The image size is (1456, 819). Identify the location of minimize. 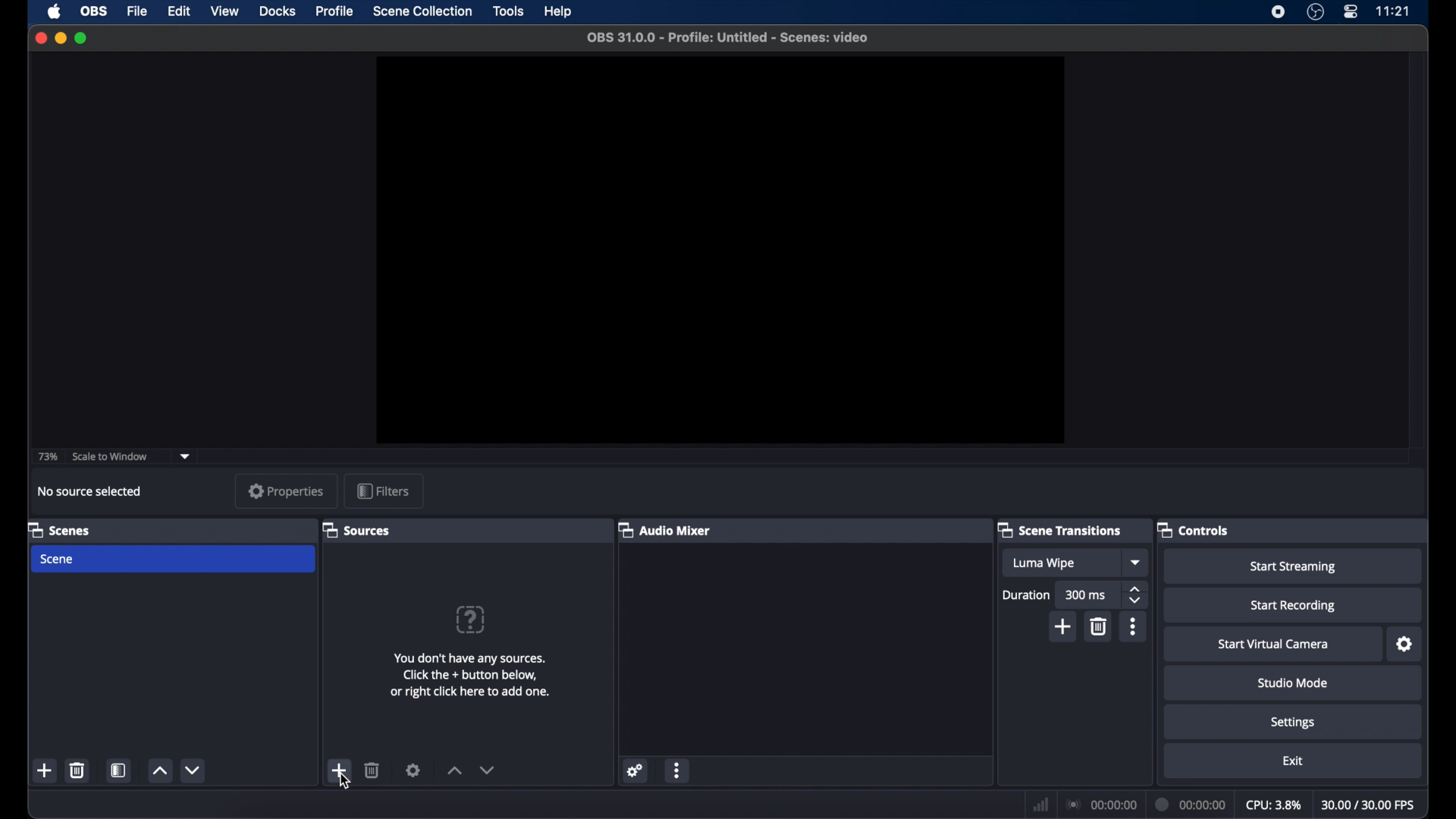
(60, 38).